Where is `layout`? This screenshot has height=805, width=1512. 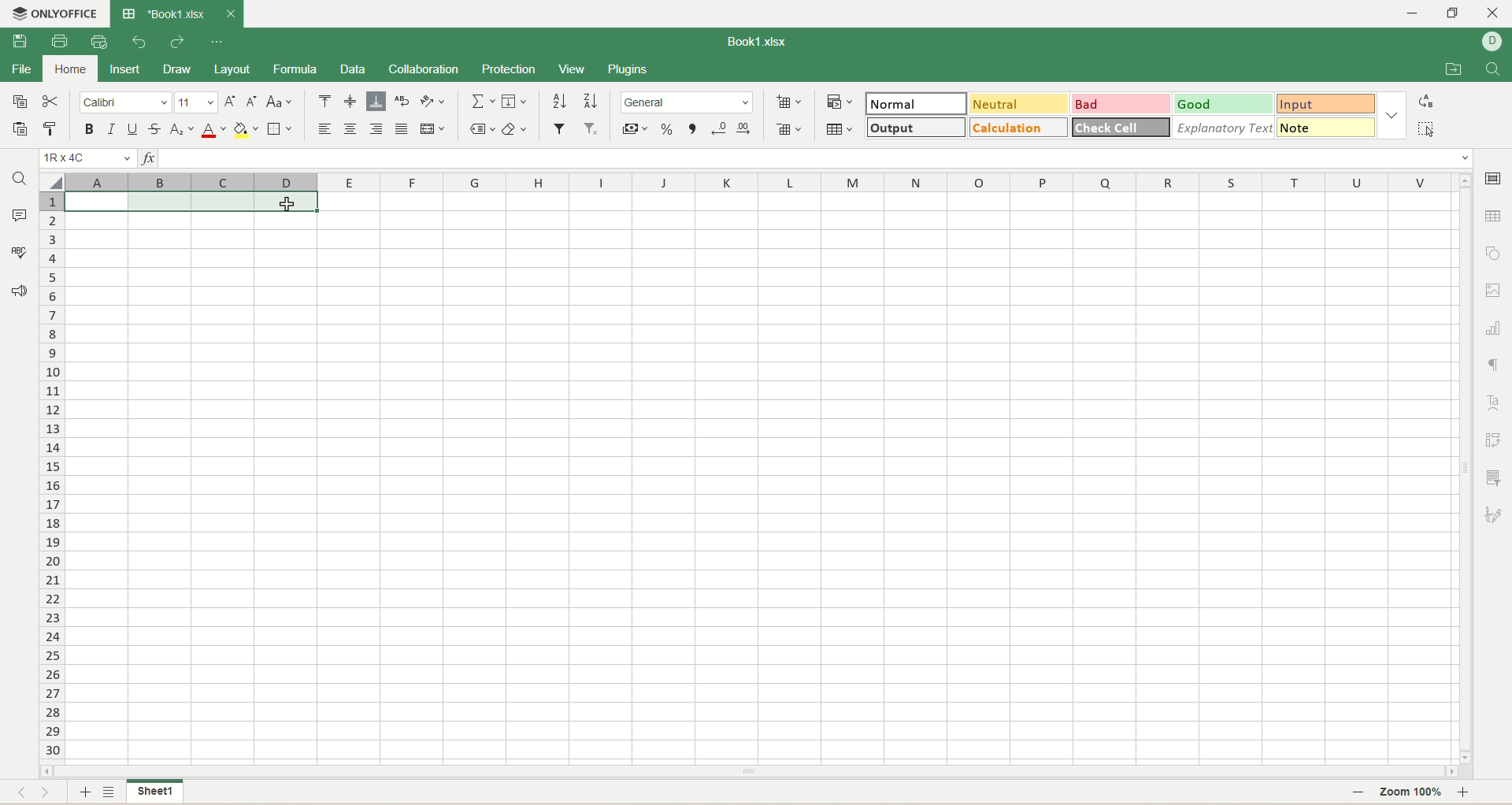 layout is located at coordinates (232, 68).